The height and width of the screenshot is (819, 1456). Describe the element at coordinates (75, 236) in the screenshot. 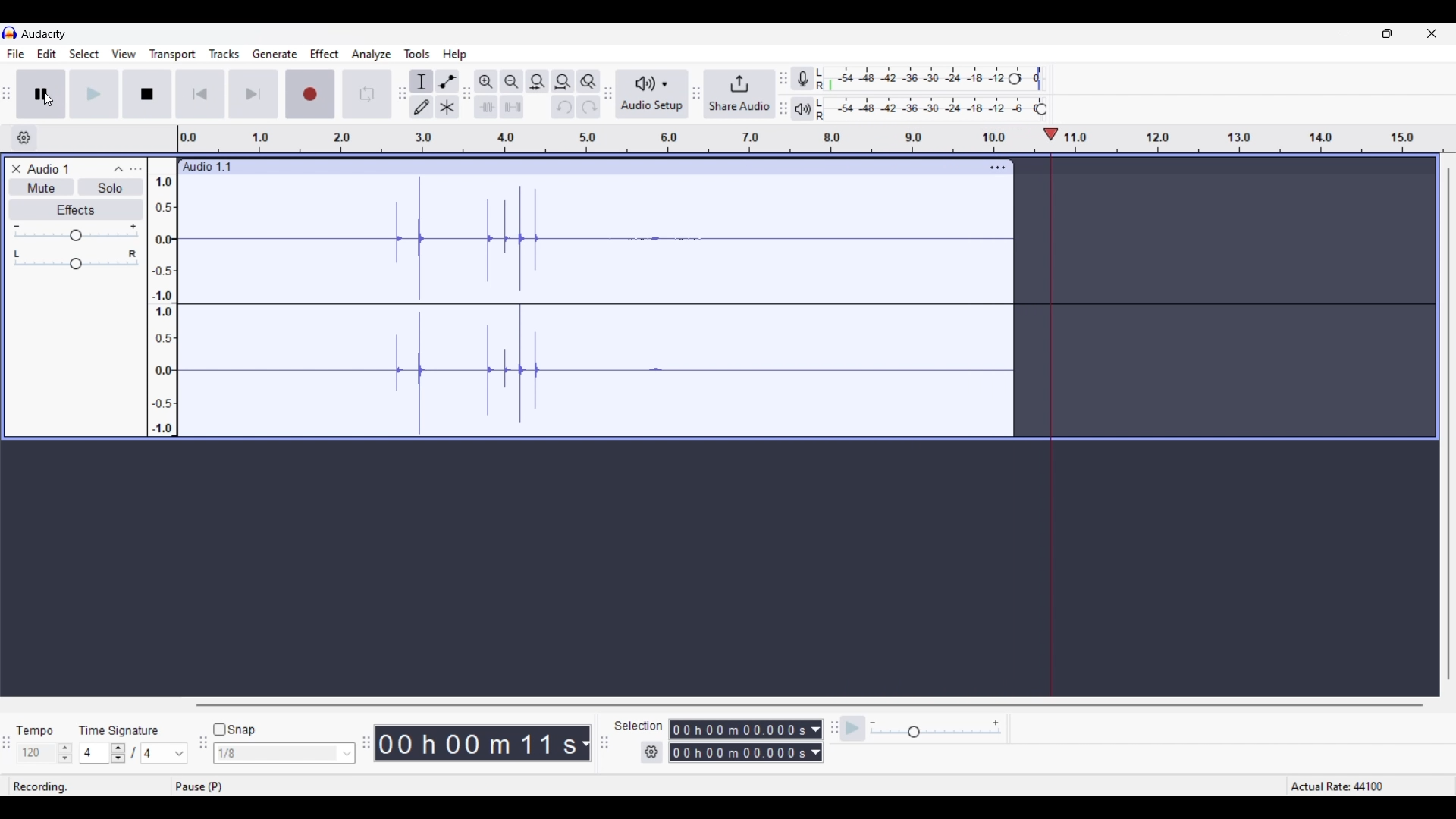

I see `Change gain` at that location.